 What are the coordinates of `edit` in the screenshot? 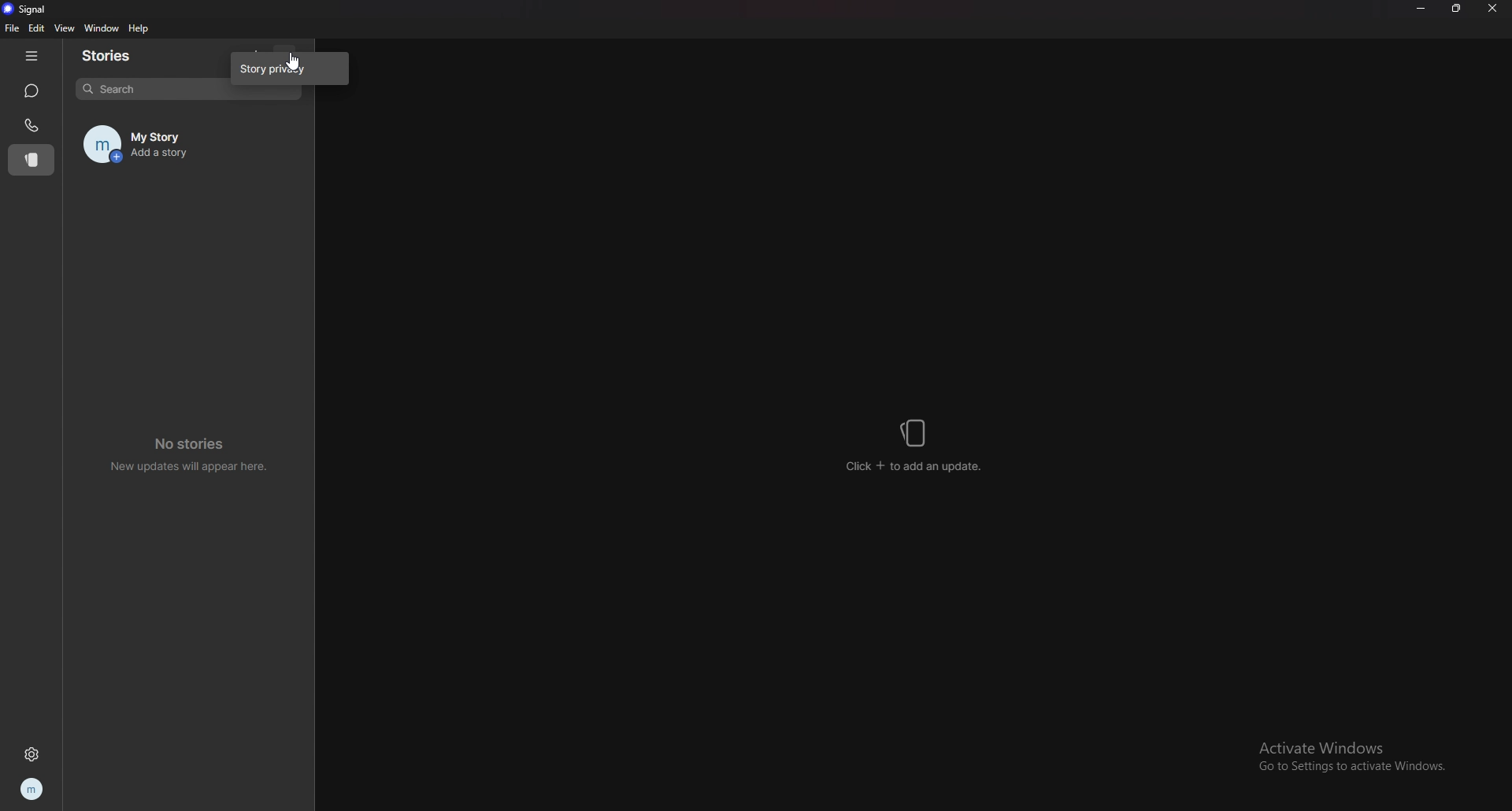 It's located at (38, 28).